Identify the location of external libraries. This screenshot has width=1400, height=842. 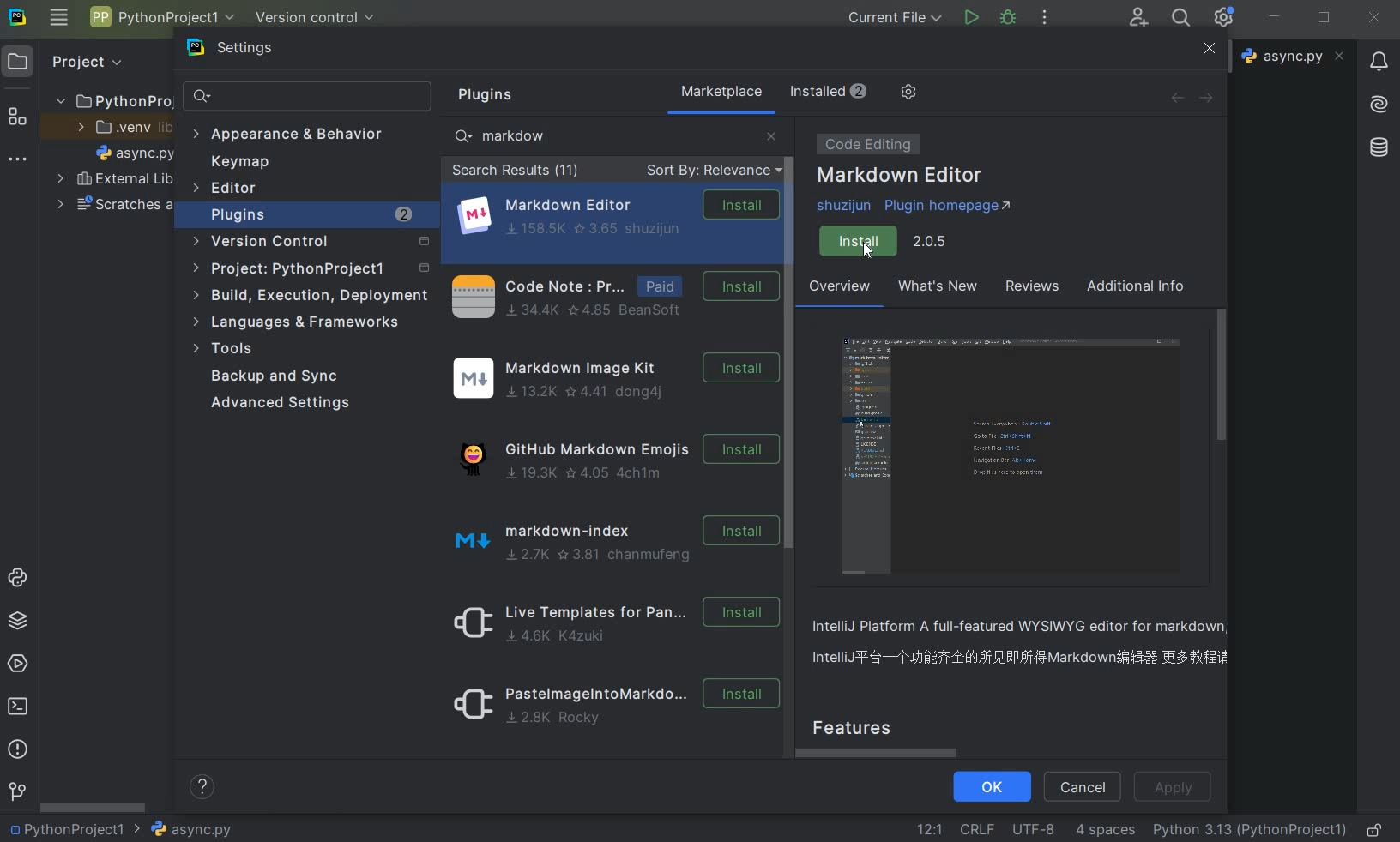
(116, 178).